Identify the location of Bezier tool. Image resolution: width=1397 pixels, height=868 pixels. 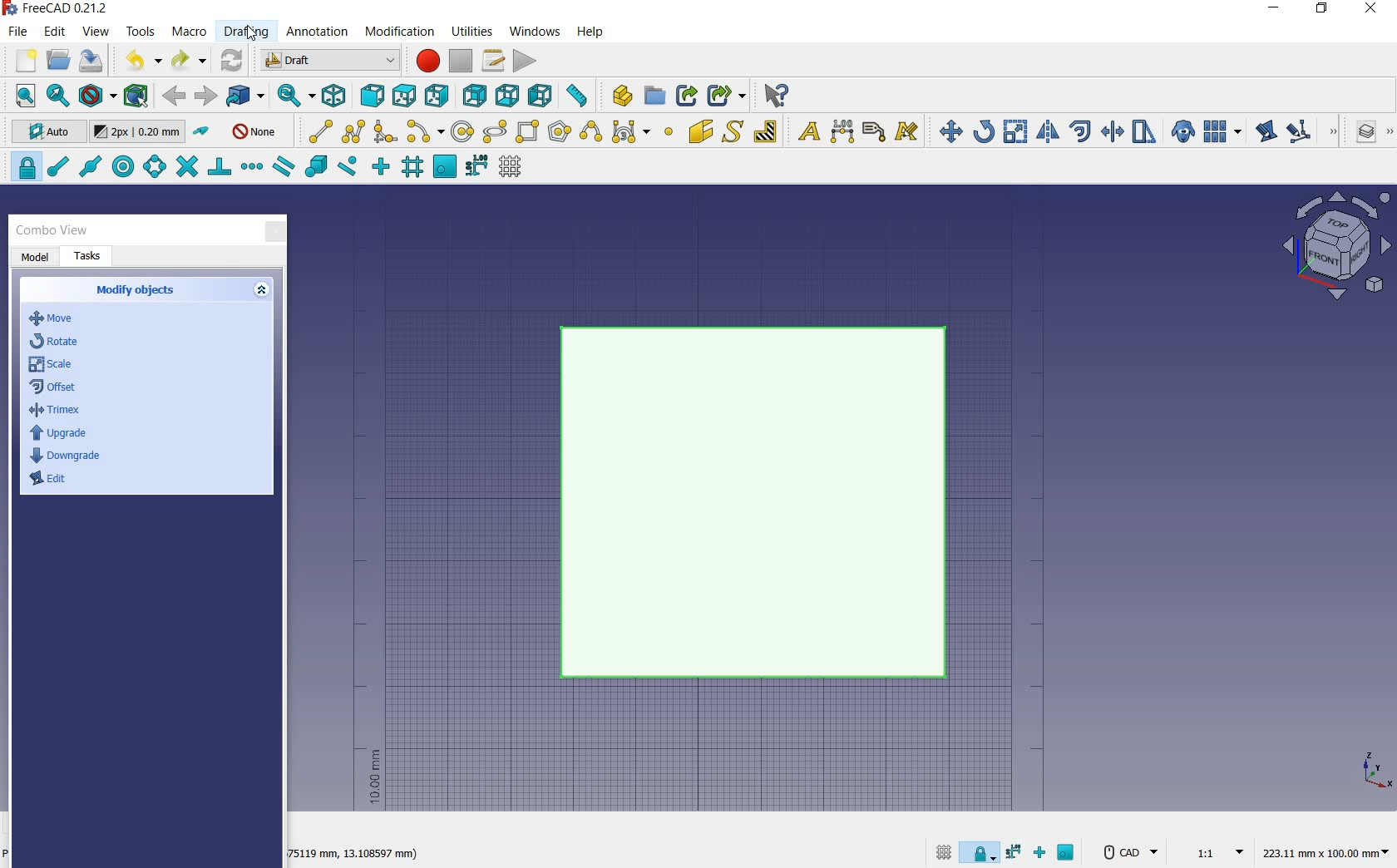
(629, 135).